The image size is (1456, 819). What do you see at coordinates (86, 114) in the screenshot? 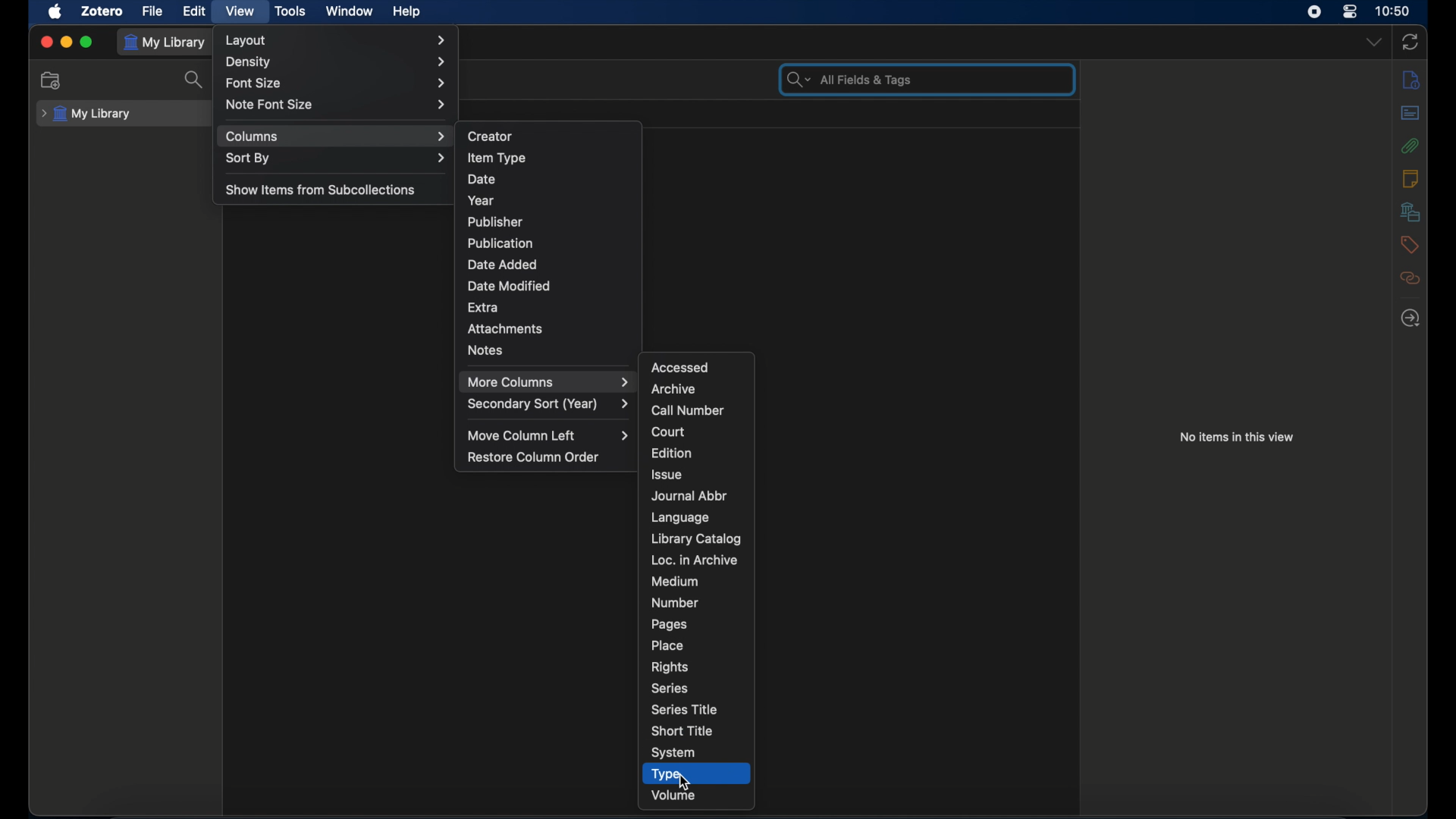
I see `my library` at bounding box center [86, 114].